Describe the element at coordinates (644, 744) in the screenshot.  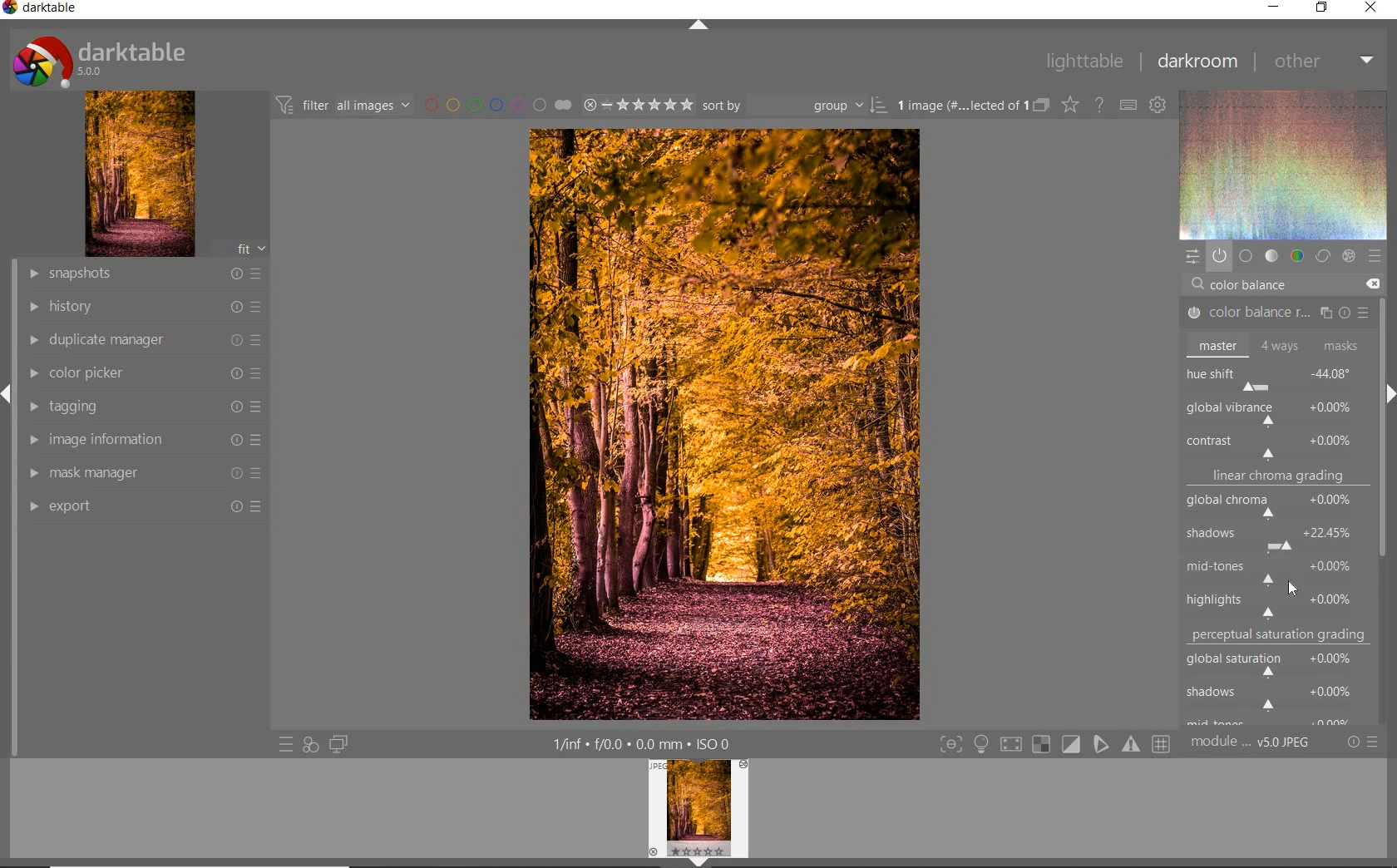
I see `other interface detail` at that location.